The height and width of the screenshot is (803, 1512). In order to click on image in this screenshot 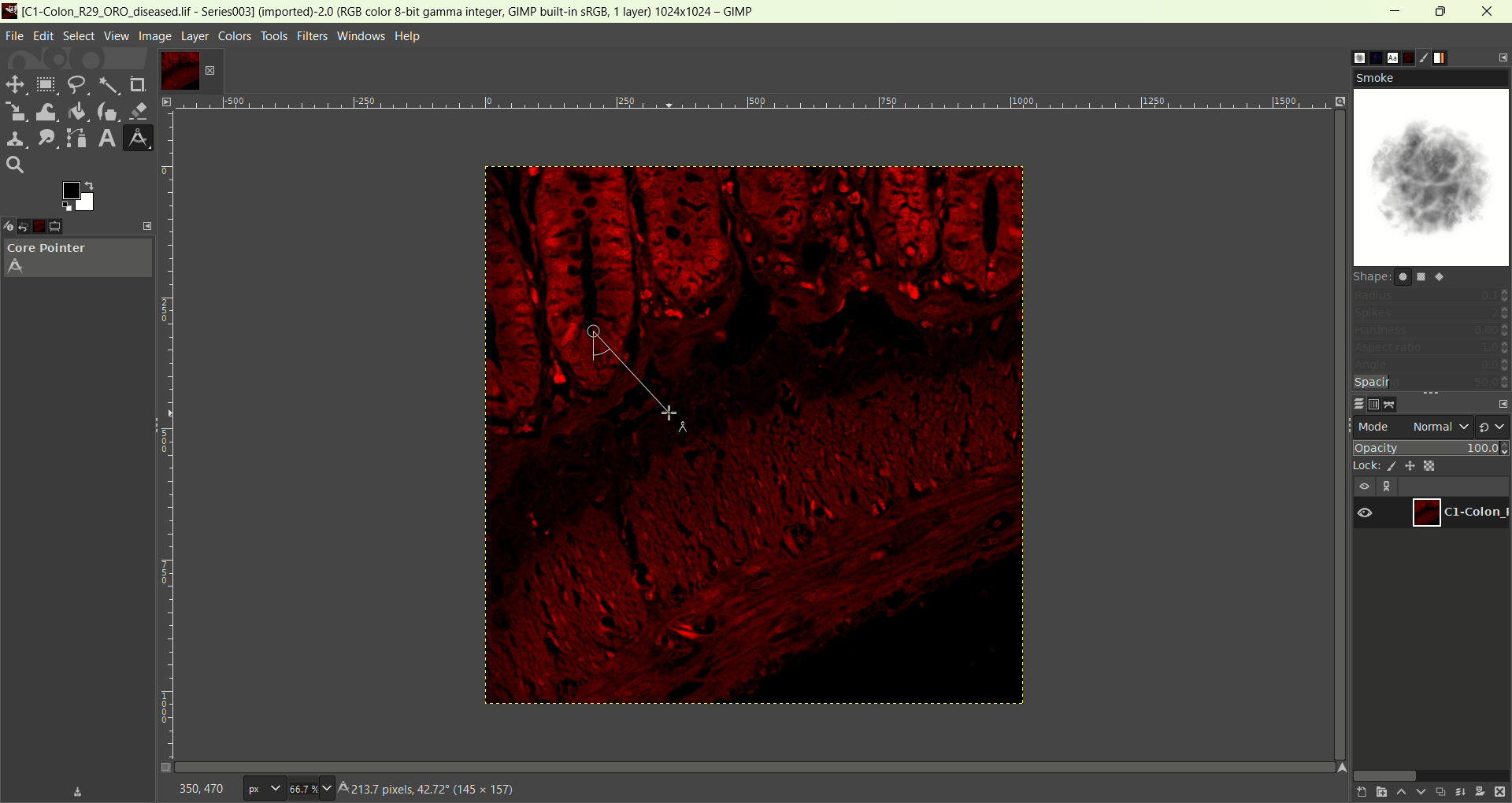, I will do `click(880, 444)`.